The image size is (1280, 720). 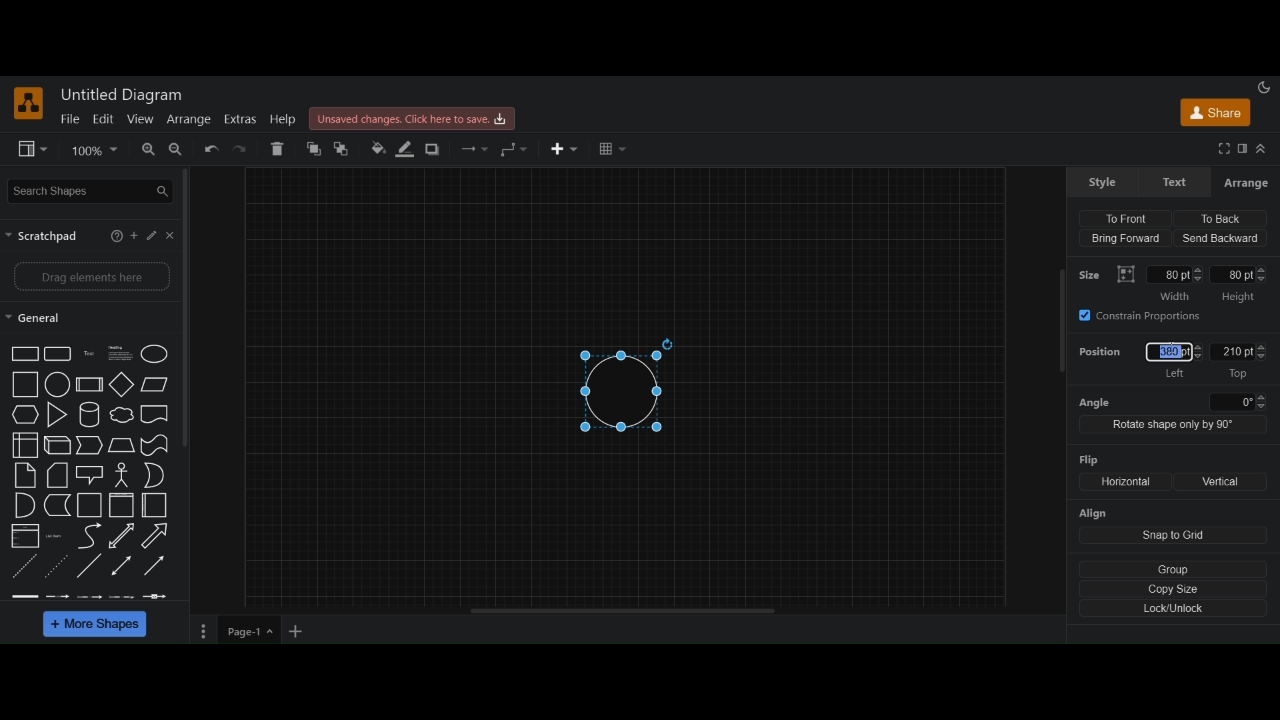 What do you see at coordinates (122, 416) in the screenshot?
I see `free shape` at bounding box center [122, 416].